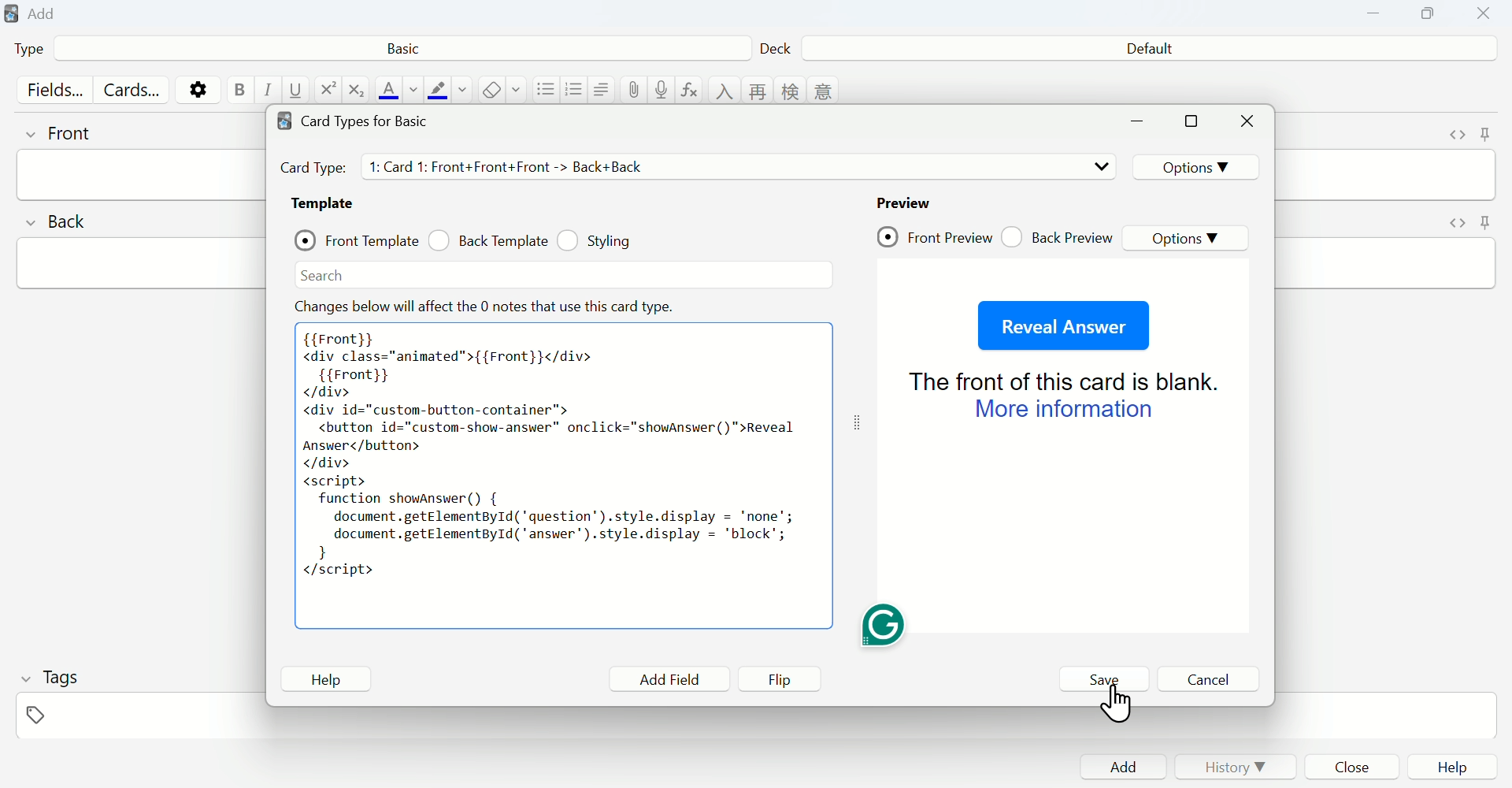 This screenshot has height=788, width=1512. I want to click on Styling, so click(602, 240).